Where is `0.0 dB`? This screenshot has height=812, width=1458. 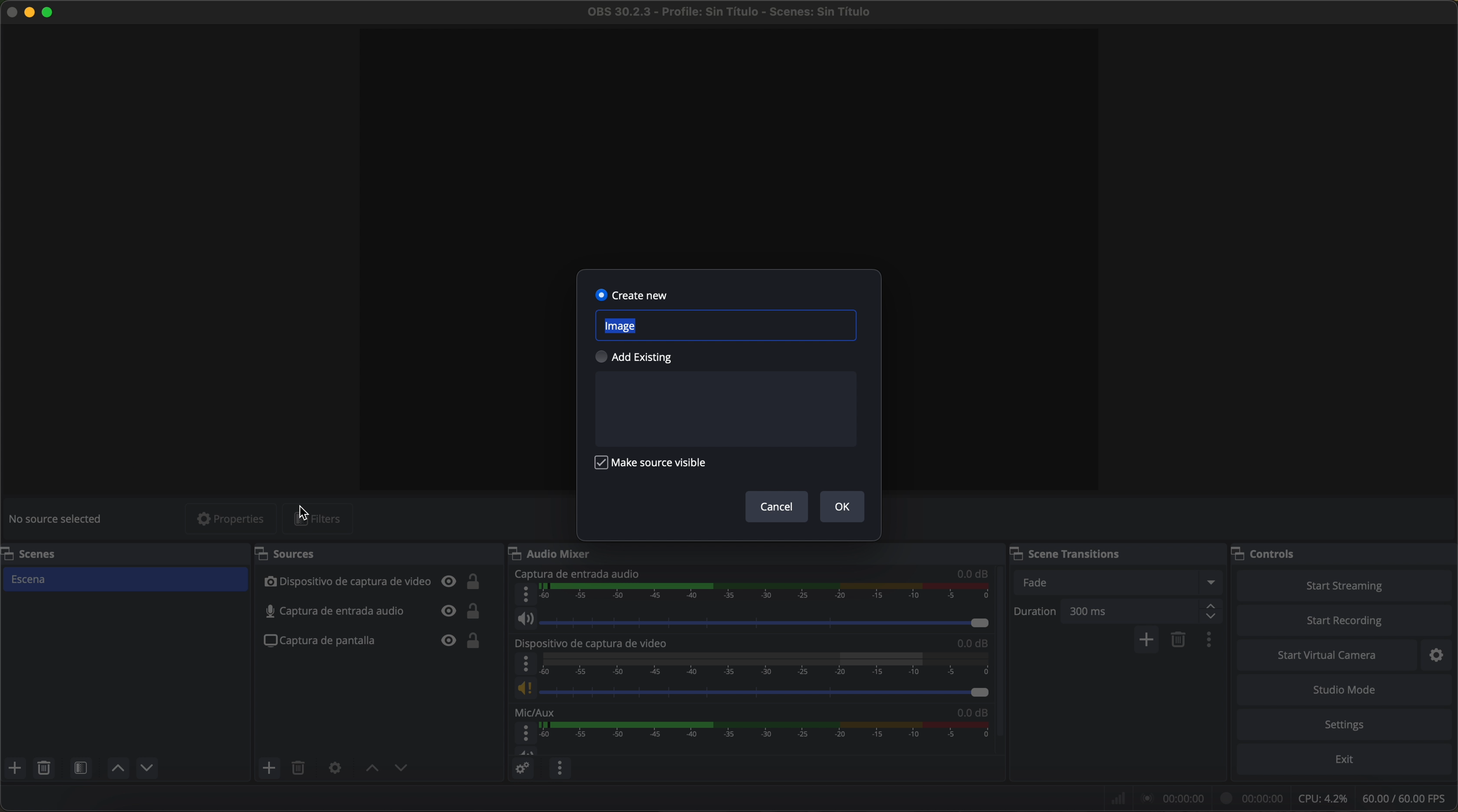 0.0 dB is located at coordinates (973, 643).